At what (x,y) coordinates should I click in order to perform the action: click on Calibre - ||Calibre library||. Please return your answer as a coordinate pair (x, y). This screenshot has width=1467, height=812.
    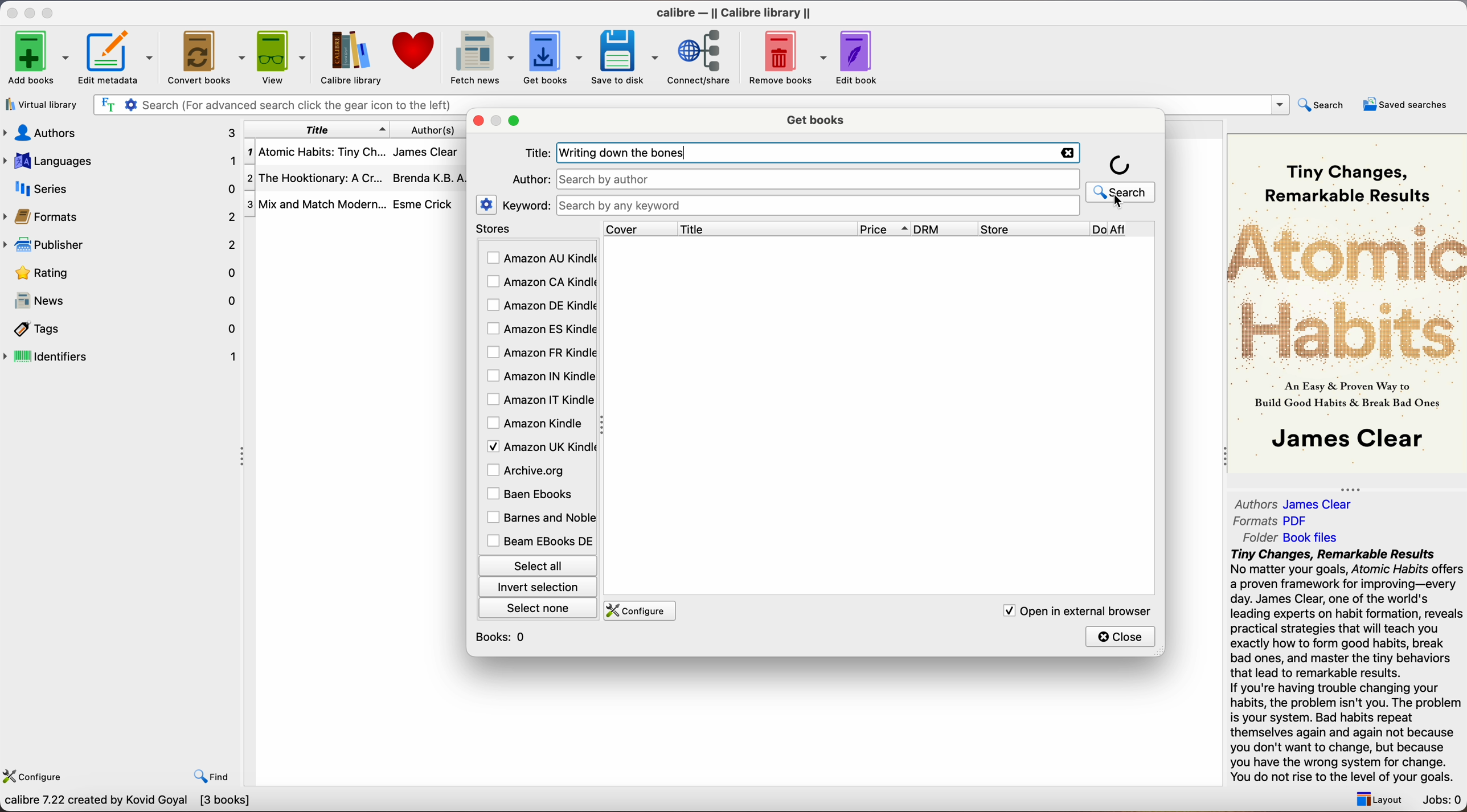
    Looking at the image, I should click on (733, 13).